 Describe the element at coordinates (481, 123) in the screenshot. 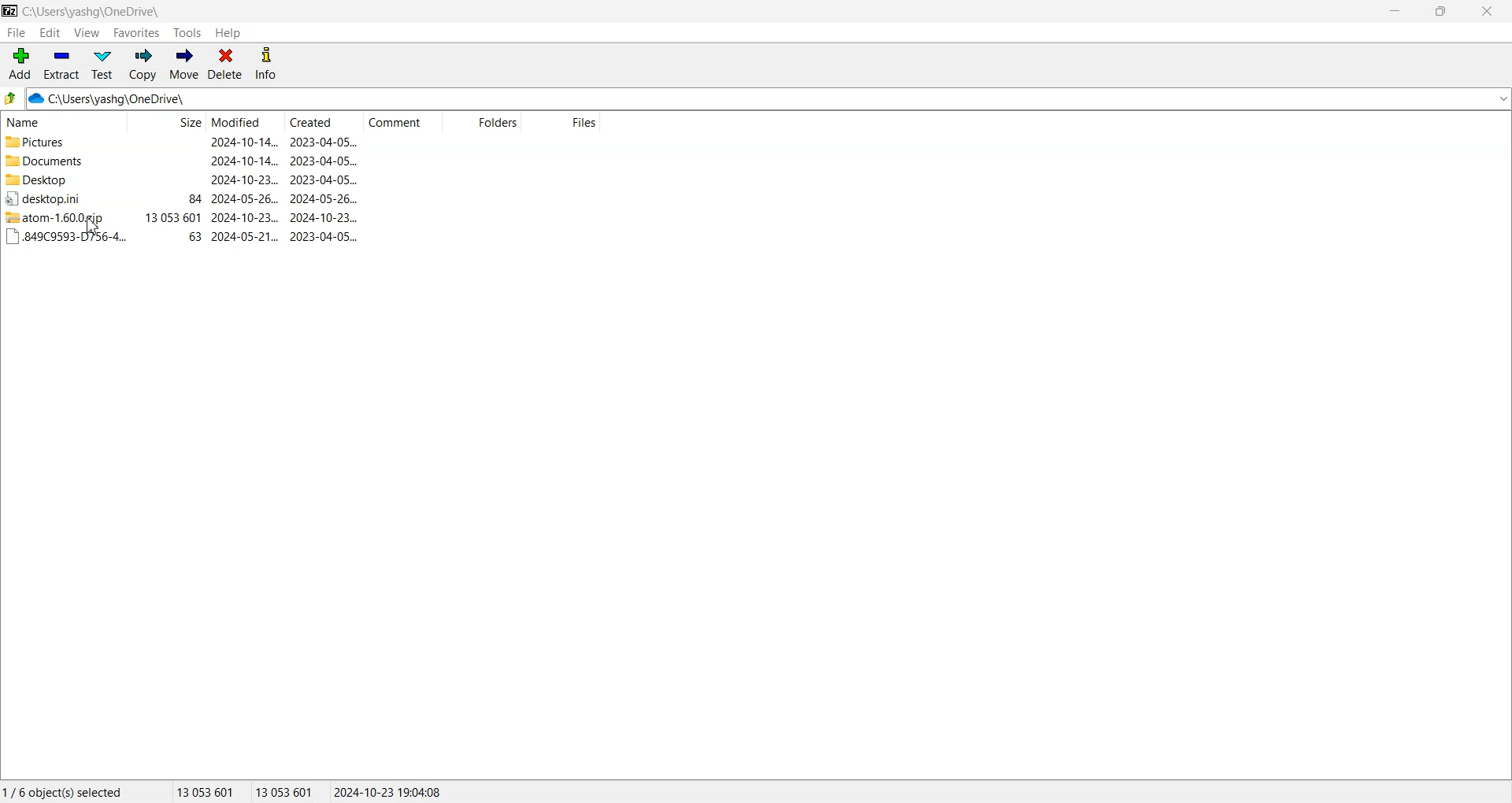

I see `Folders` at that location.